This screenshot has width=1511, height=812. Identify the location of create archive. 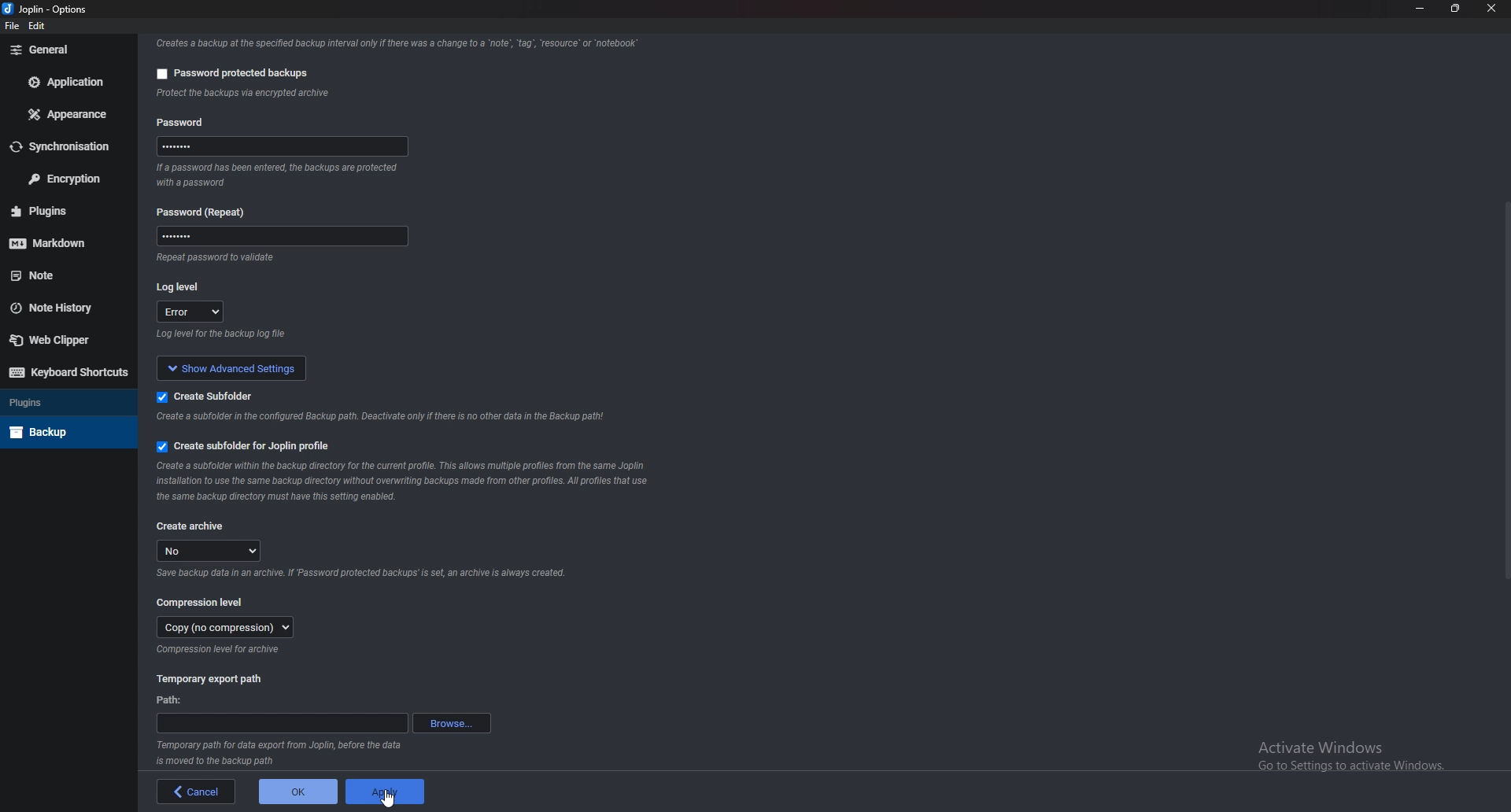
(192, 525).